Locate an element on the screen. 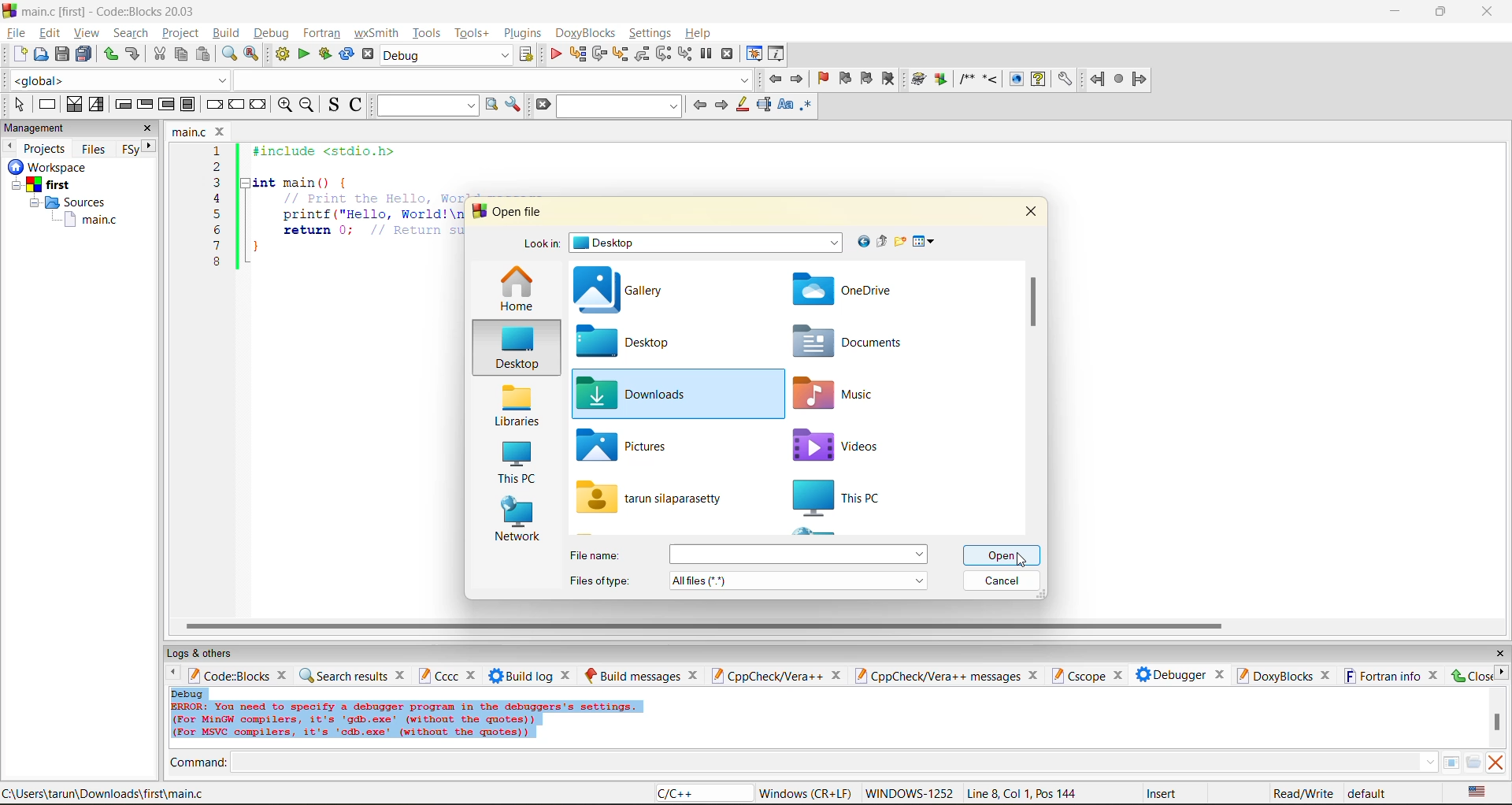  insert is located at coordinates (1165, 793).